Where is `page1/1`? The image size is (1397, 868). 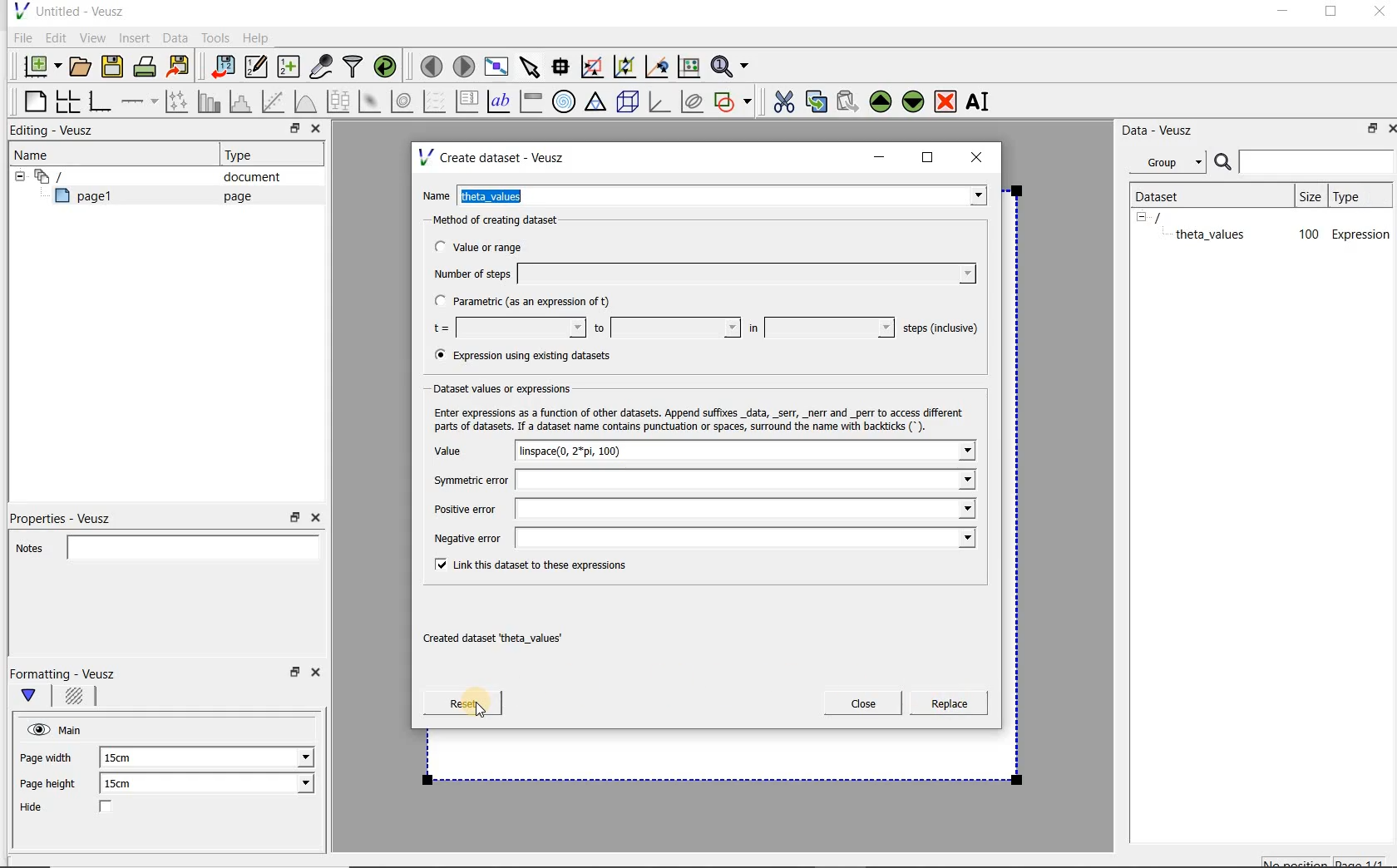
page1/1 is located at coordinates (1366, 861).